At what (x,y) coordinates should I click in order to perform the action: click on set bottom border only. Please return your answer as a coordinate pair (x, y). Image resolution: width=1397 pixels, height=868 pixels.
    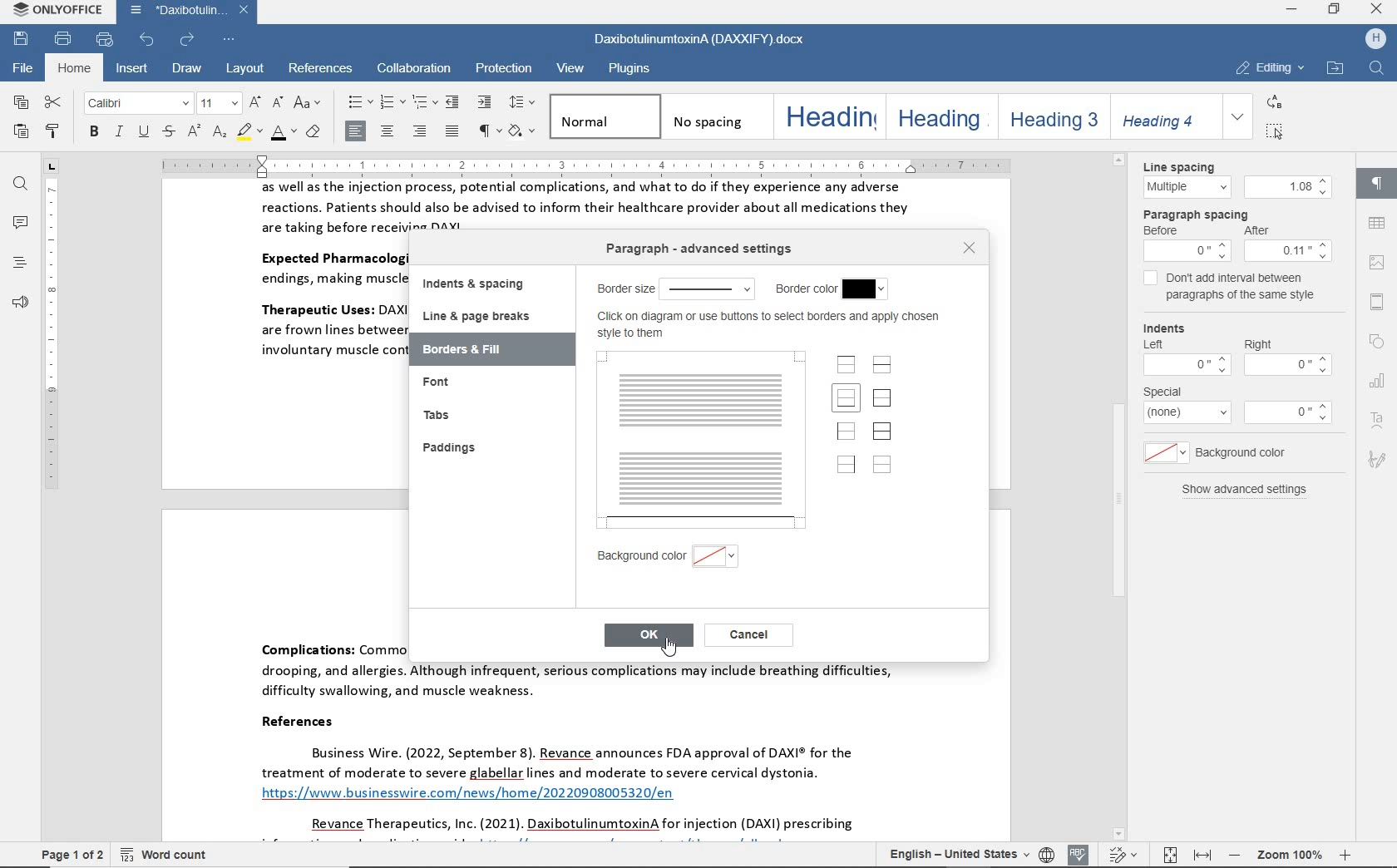
    Looking at the image, I should click on (845, 397).